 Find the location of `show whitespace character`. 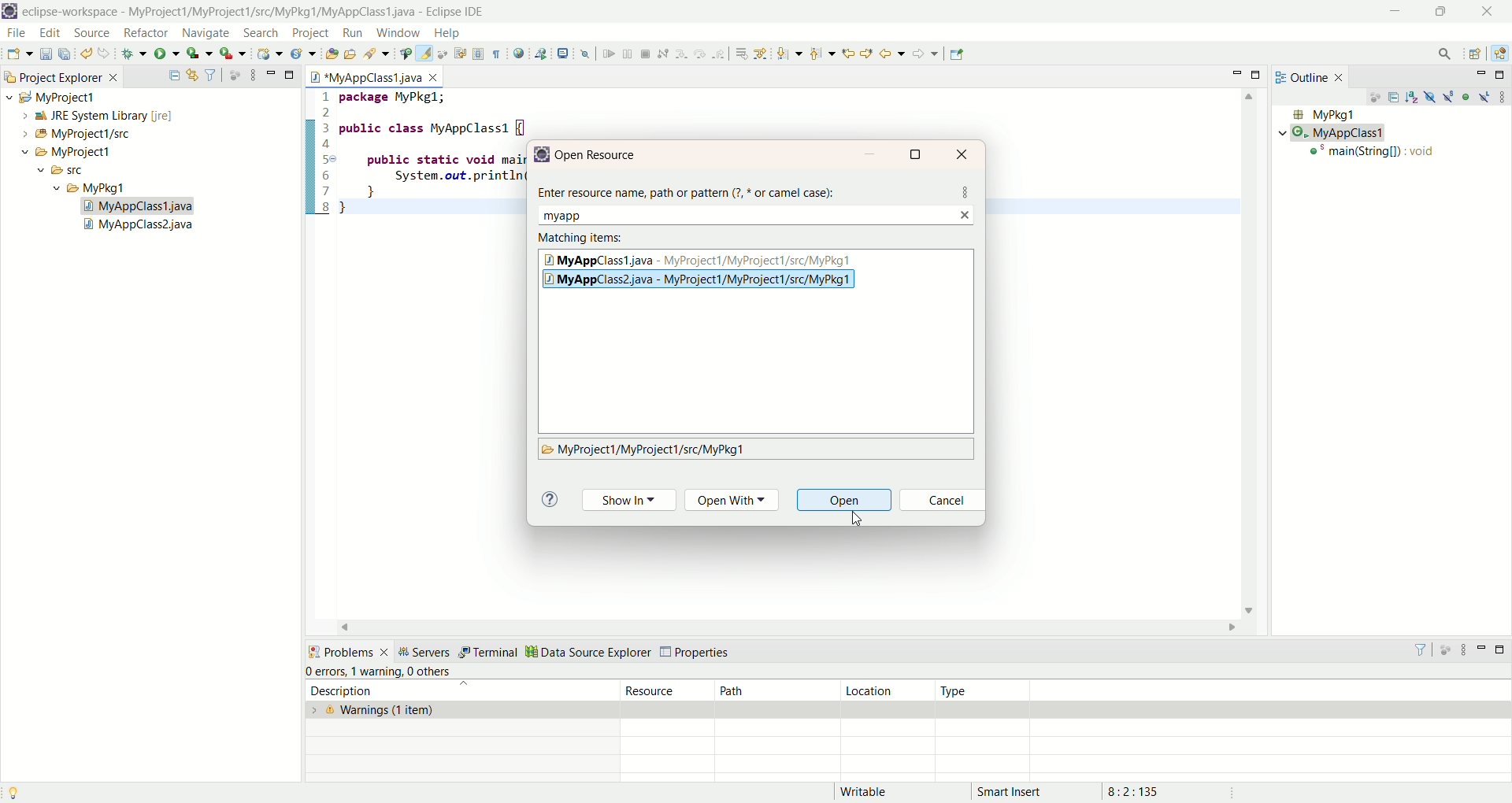

show whitespace character is located at coordinates (497, 55).